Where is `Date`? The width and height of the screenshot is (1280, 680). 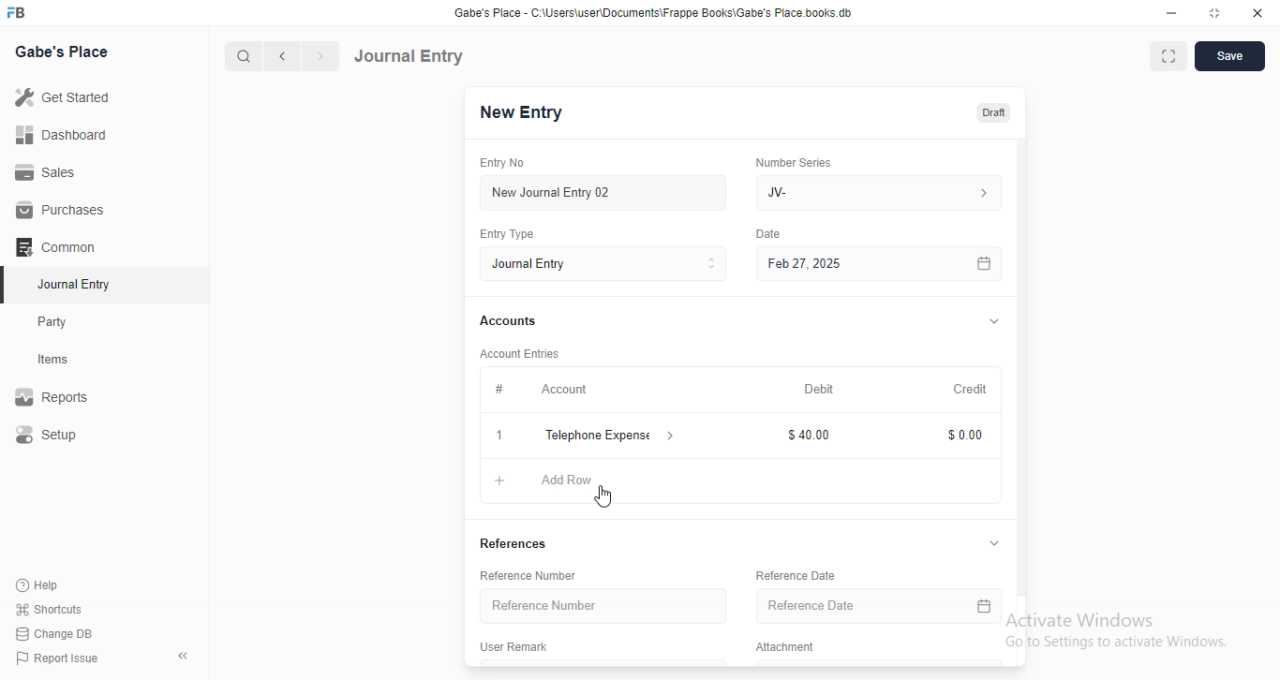 Date is located at coordinates (772, 232).